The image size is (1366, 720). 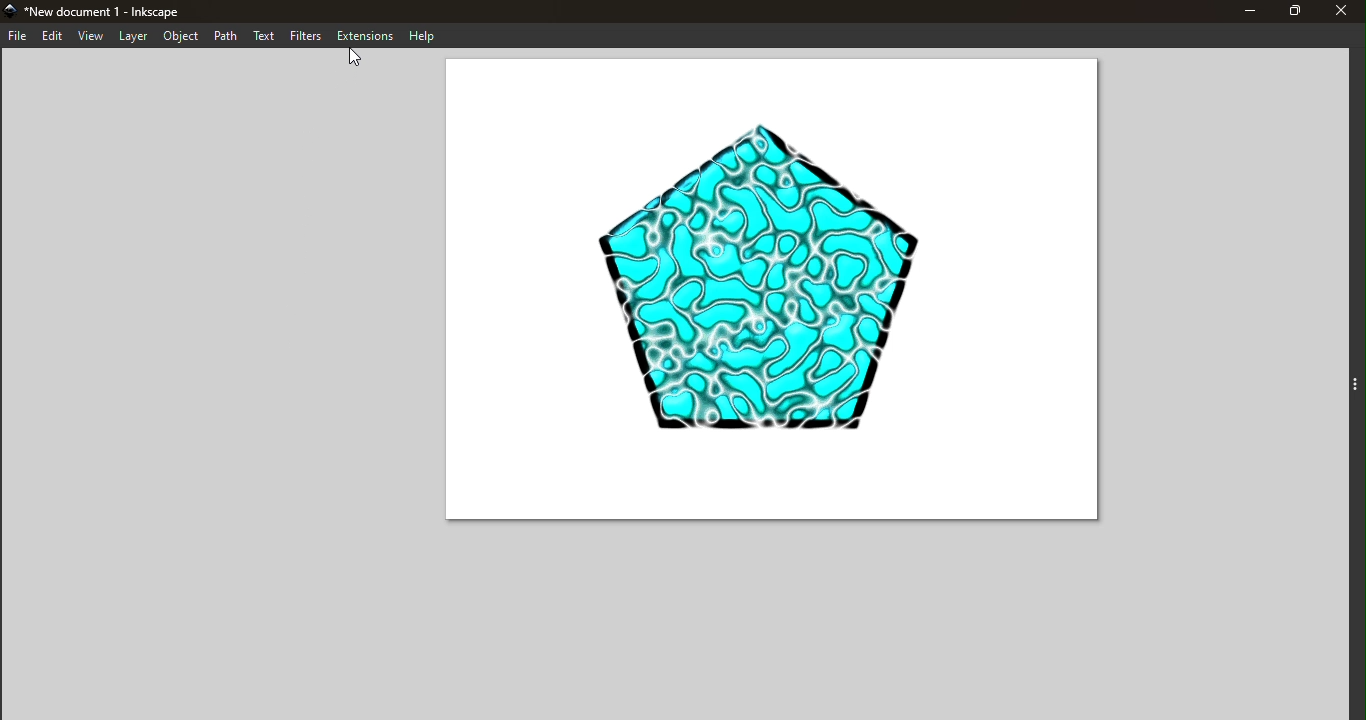 I want to click on File, so click(x=18, y=35).